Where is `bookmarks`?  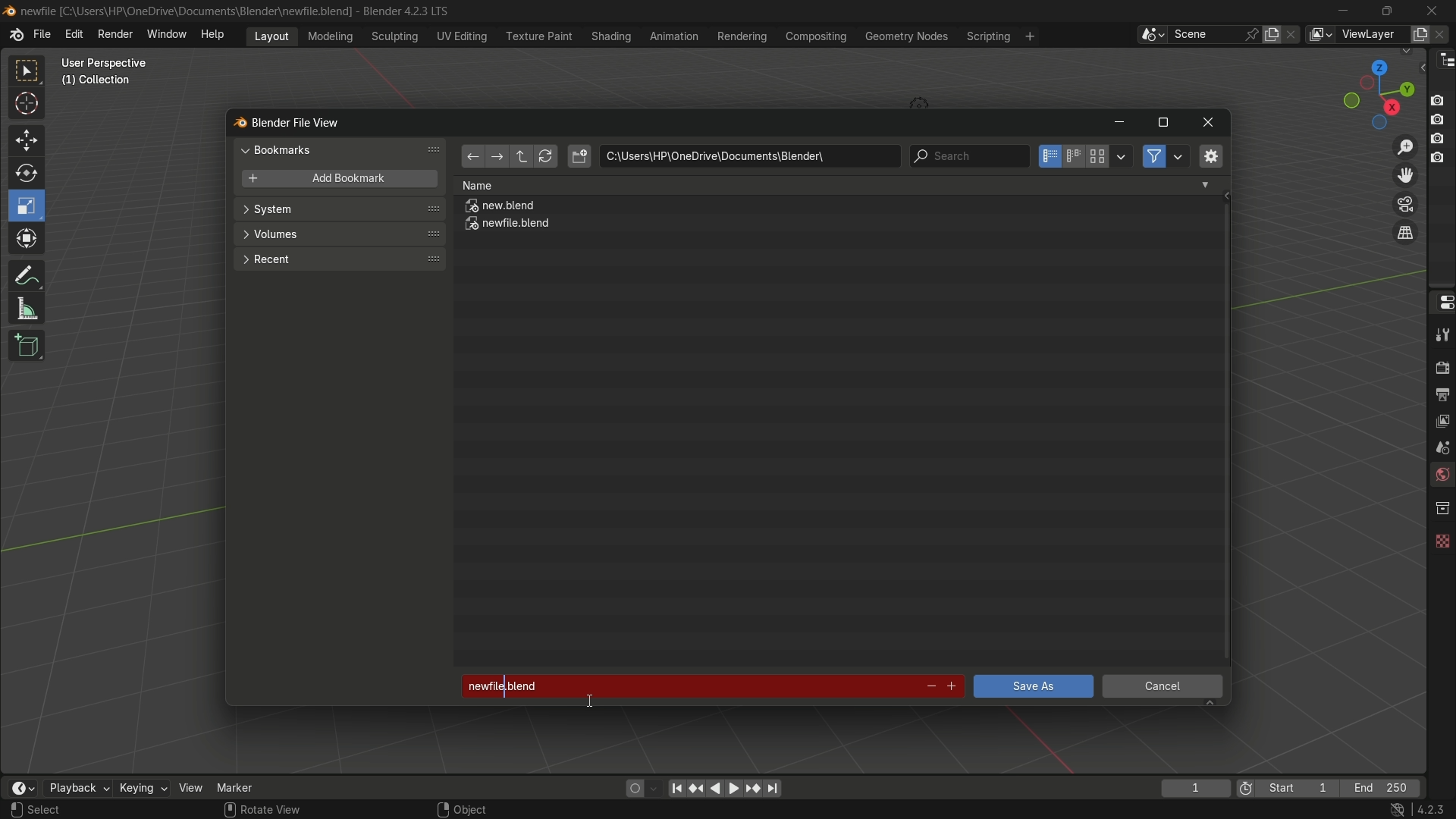 bookmarks is located at coordinates (343, 149).